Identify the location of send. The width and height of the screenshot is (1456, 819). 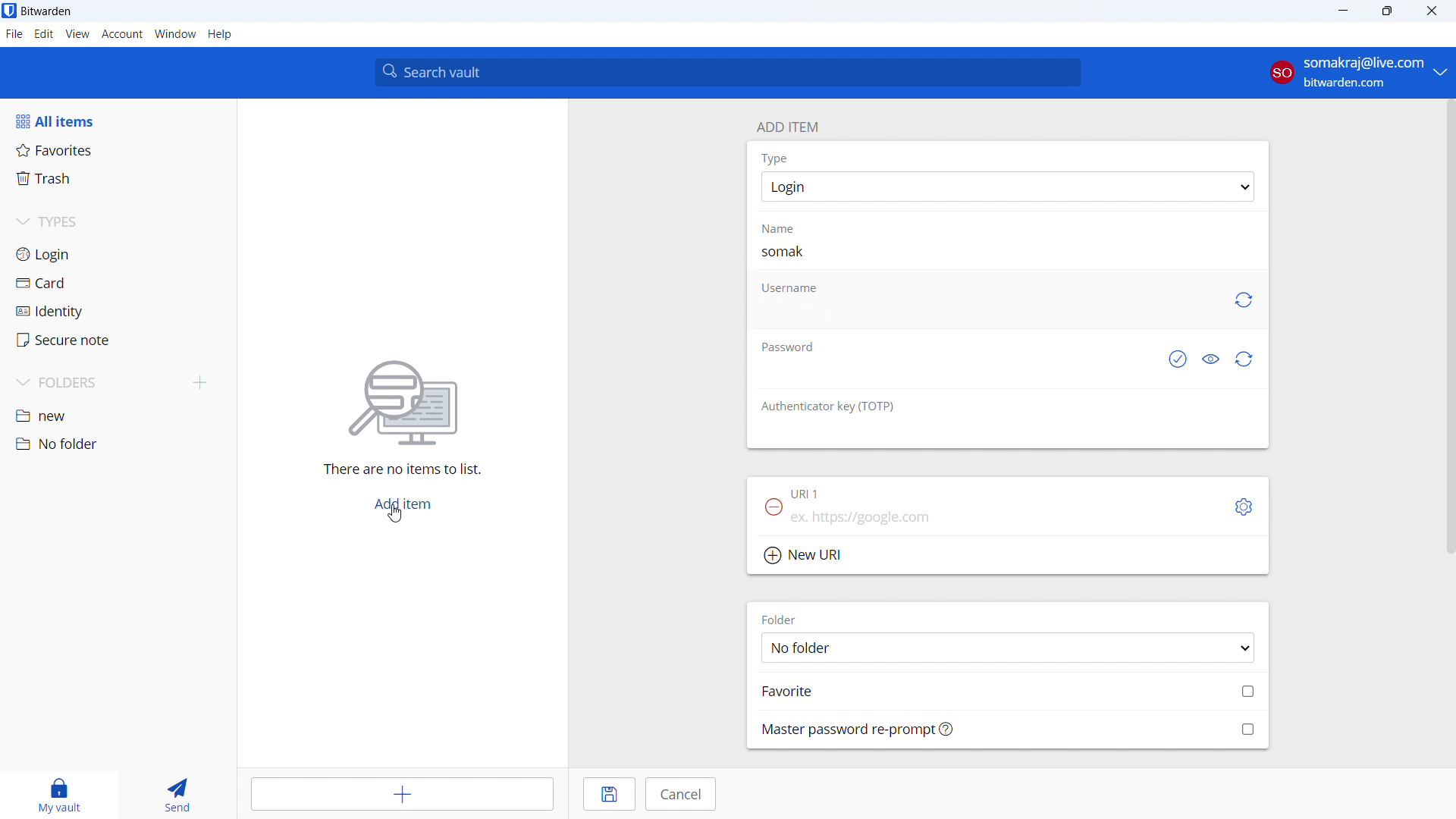
(175, 795).